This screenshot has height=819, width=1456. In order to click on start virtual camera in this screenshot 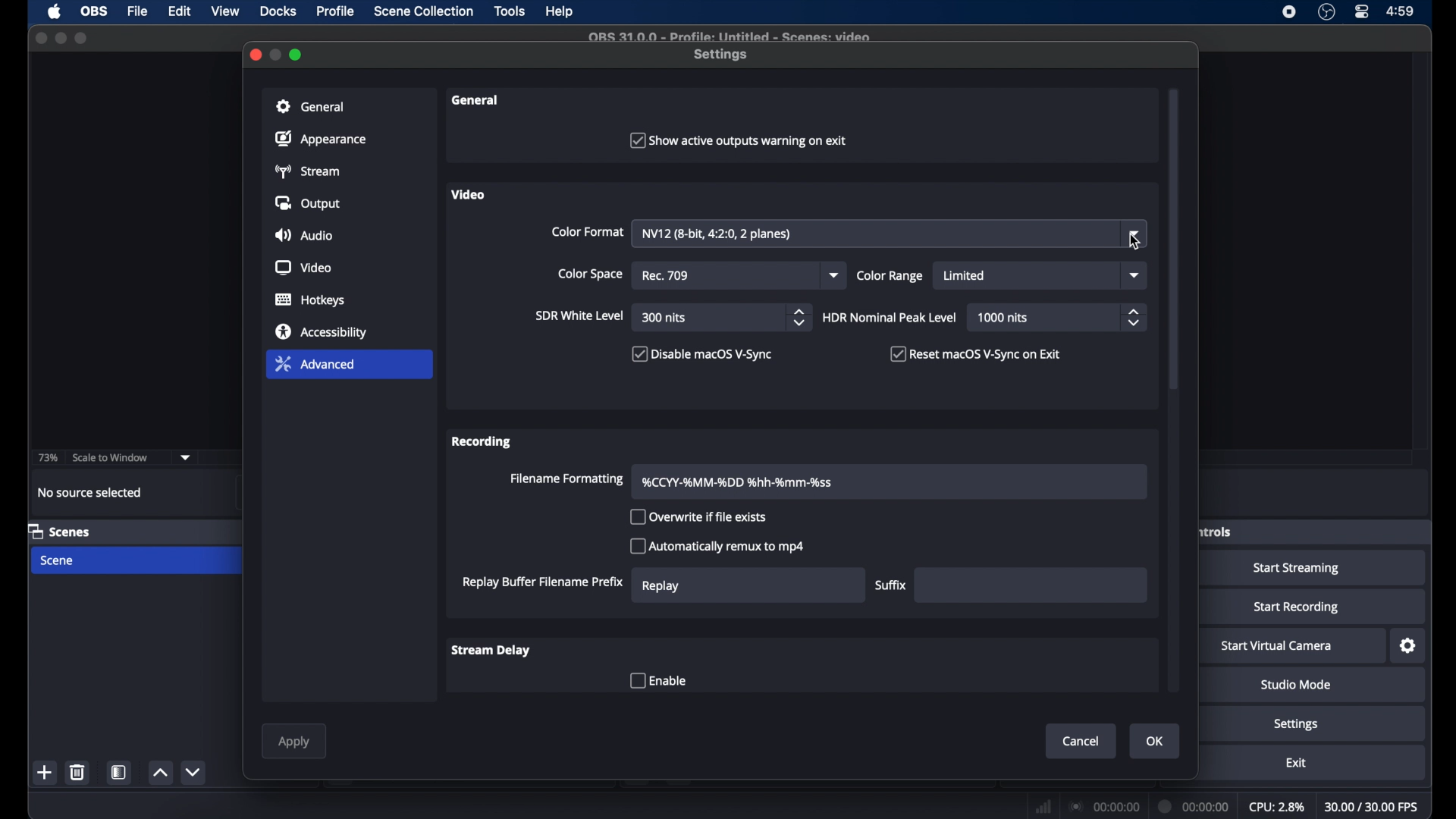, I will do `click(1278, 645)`.